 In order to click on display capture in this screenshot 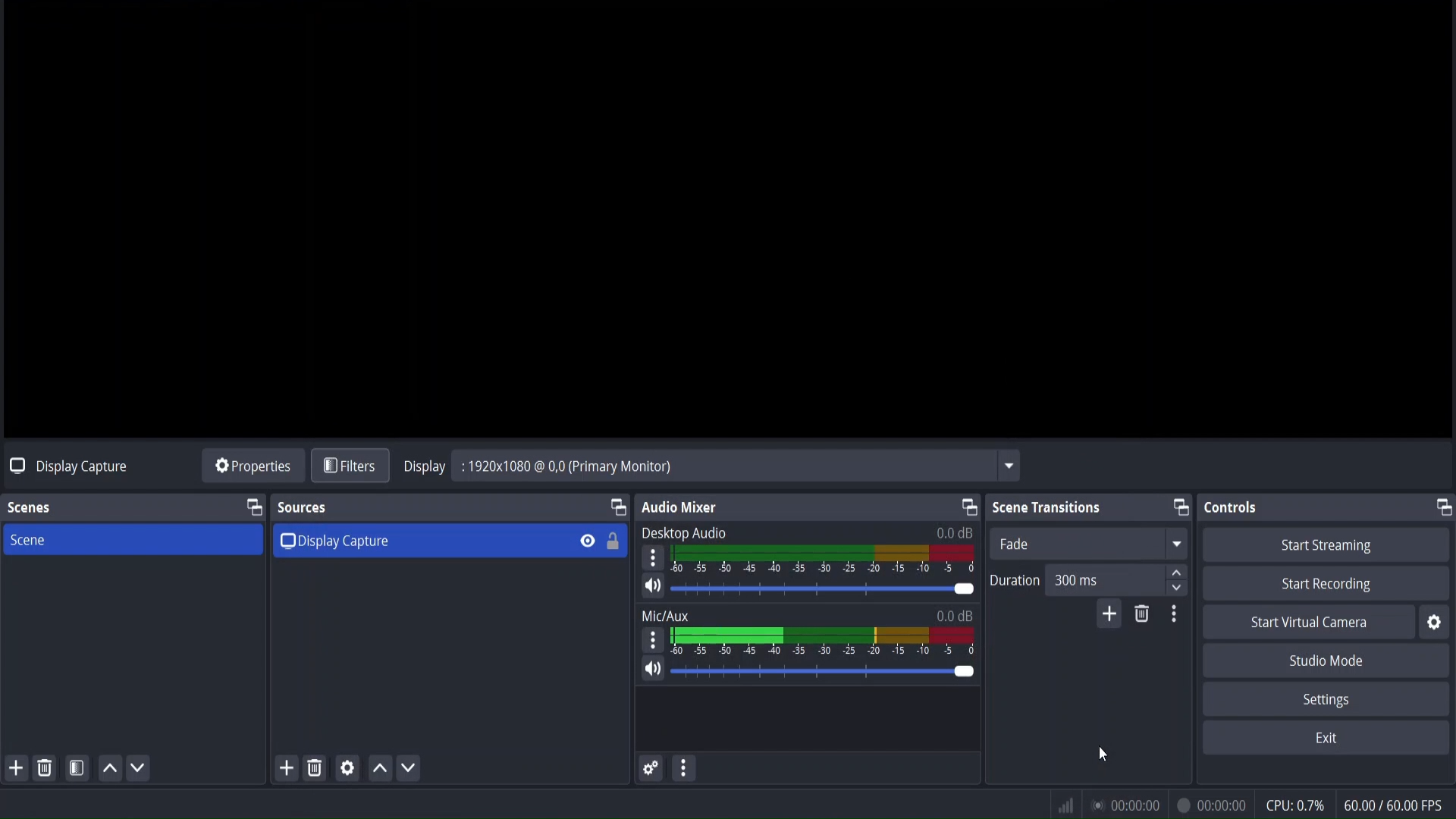, I will do `click(335, 541)`.